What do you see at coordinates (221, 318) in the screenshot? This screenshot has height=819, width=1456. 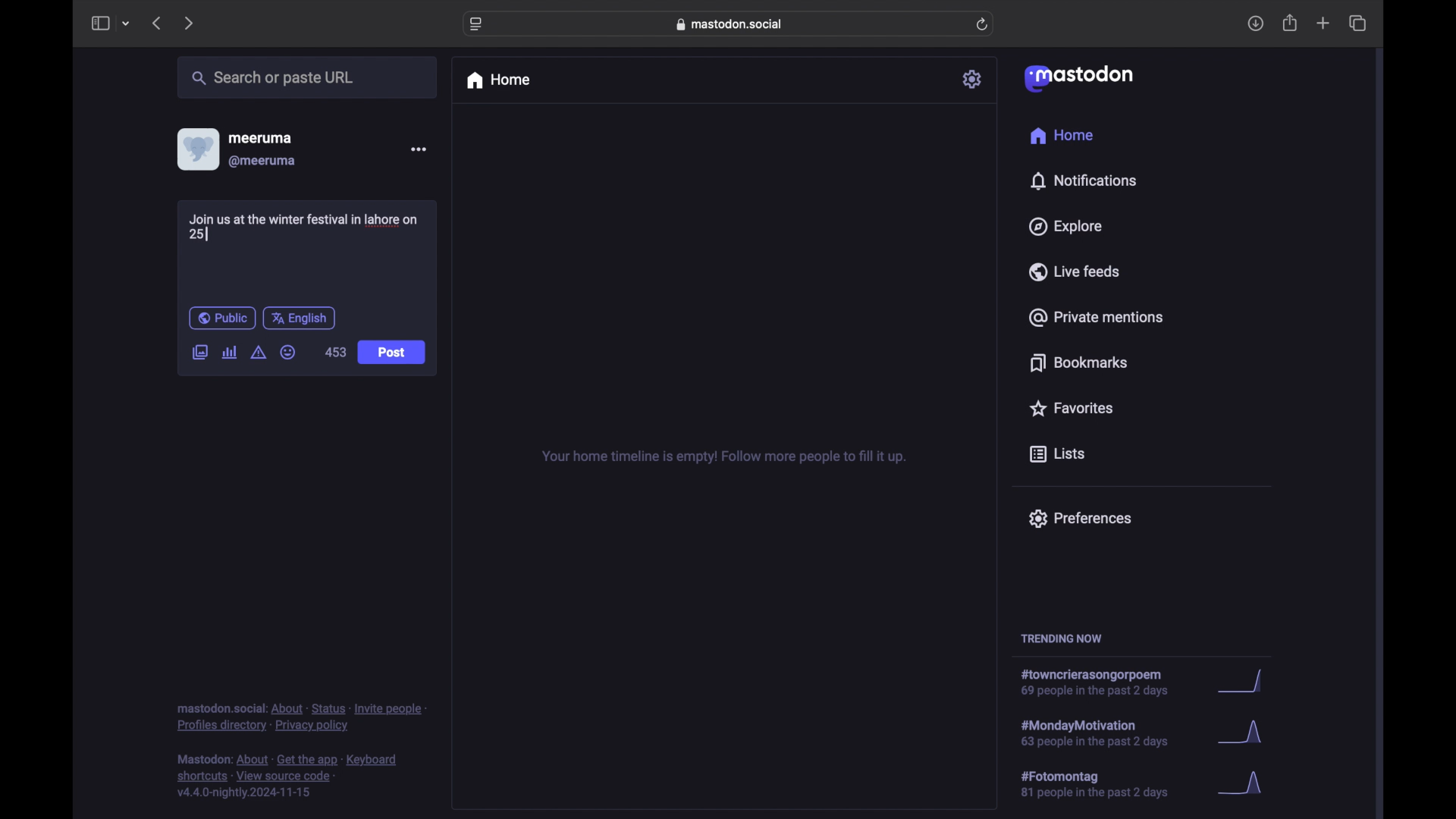 I see `public` at bounding box center [221, 318].